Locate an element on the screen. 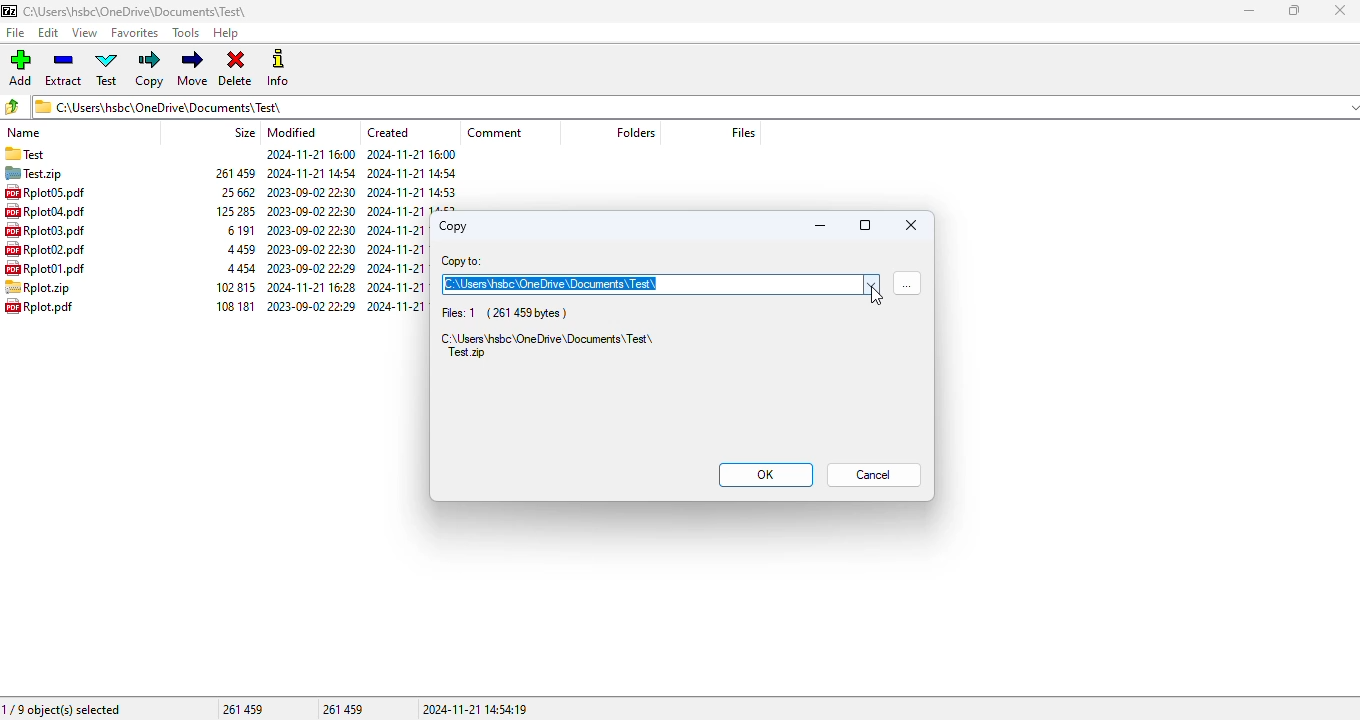 The image size is (1360, 720). copy is located at coordinates (453, 227).